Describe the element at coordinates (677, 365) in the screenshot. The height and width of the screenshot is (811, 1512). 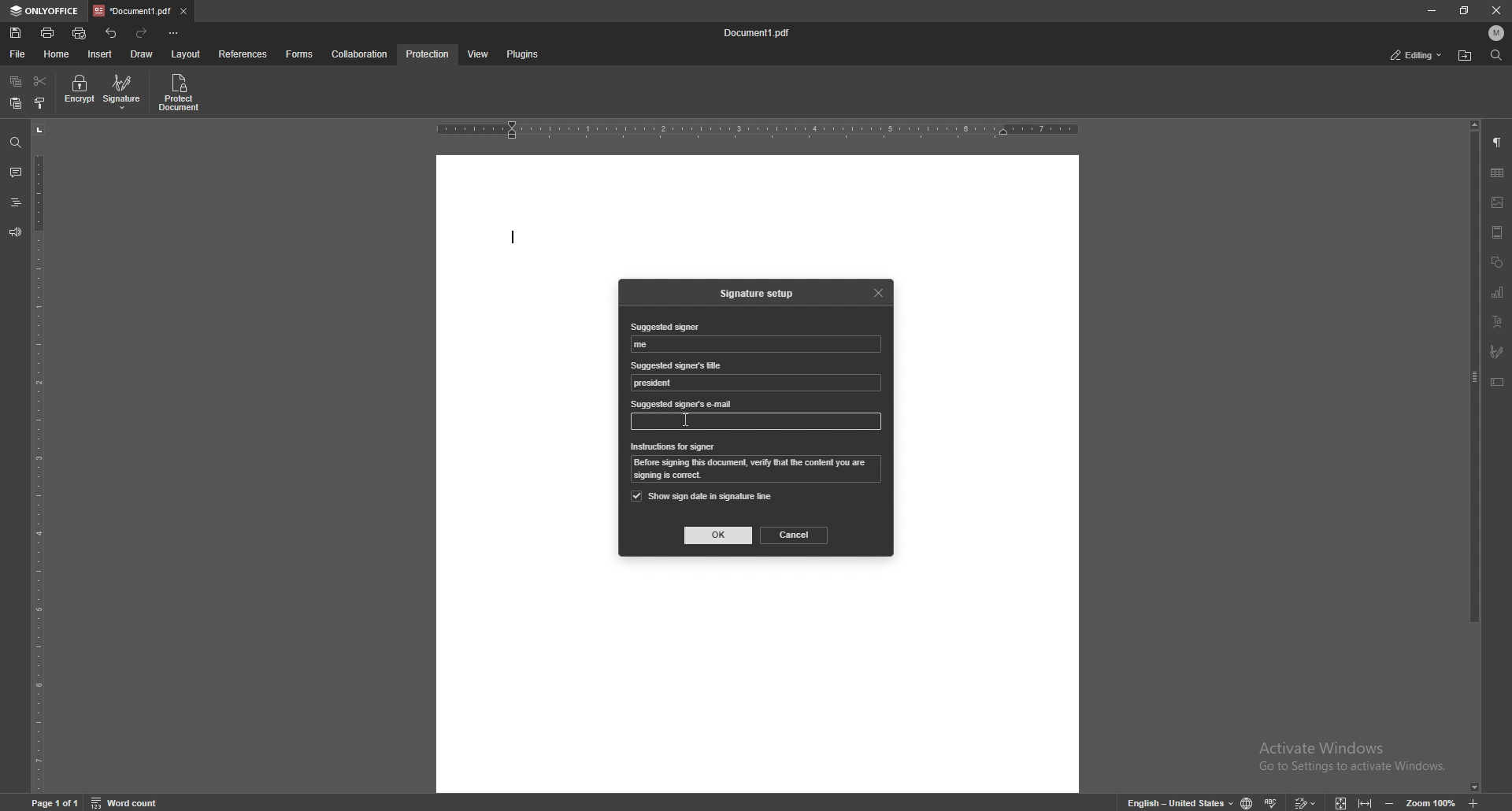
I see `suggested signer's title` at that location.